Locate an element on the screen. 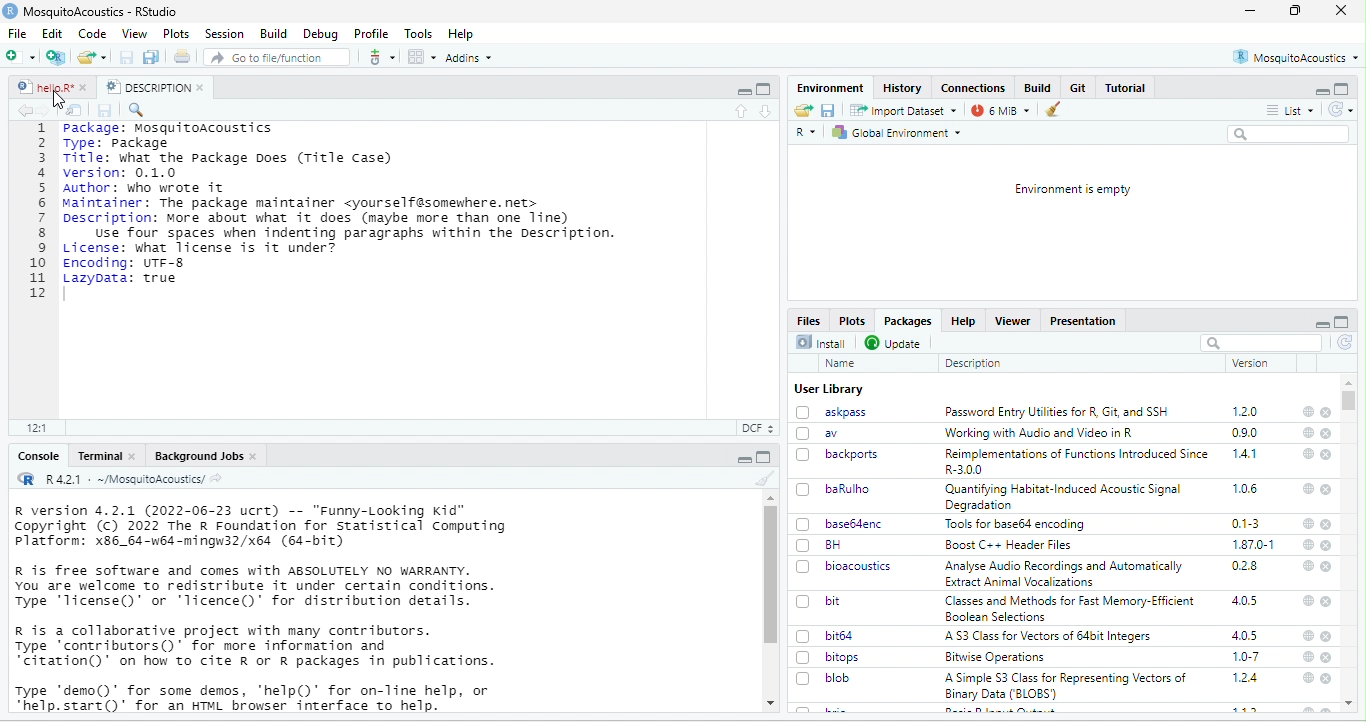 The image size is (1366, 722). scroll up is located at coordinates (1350, 382).